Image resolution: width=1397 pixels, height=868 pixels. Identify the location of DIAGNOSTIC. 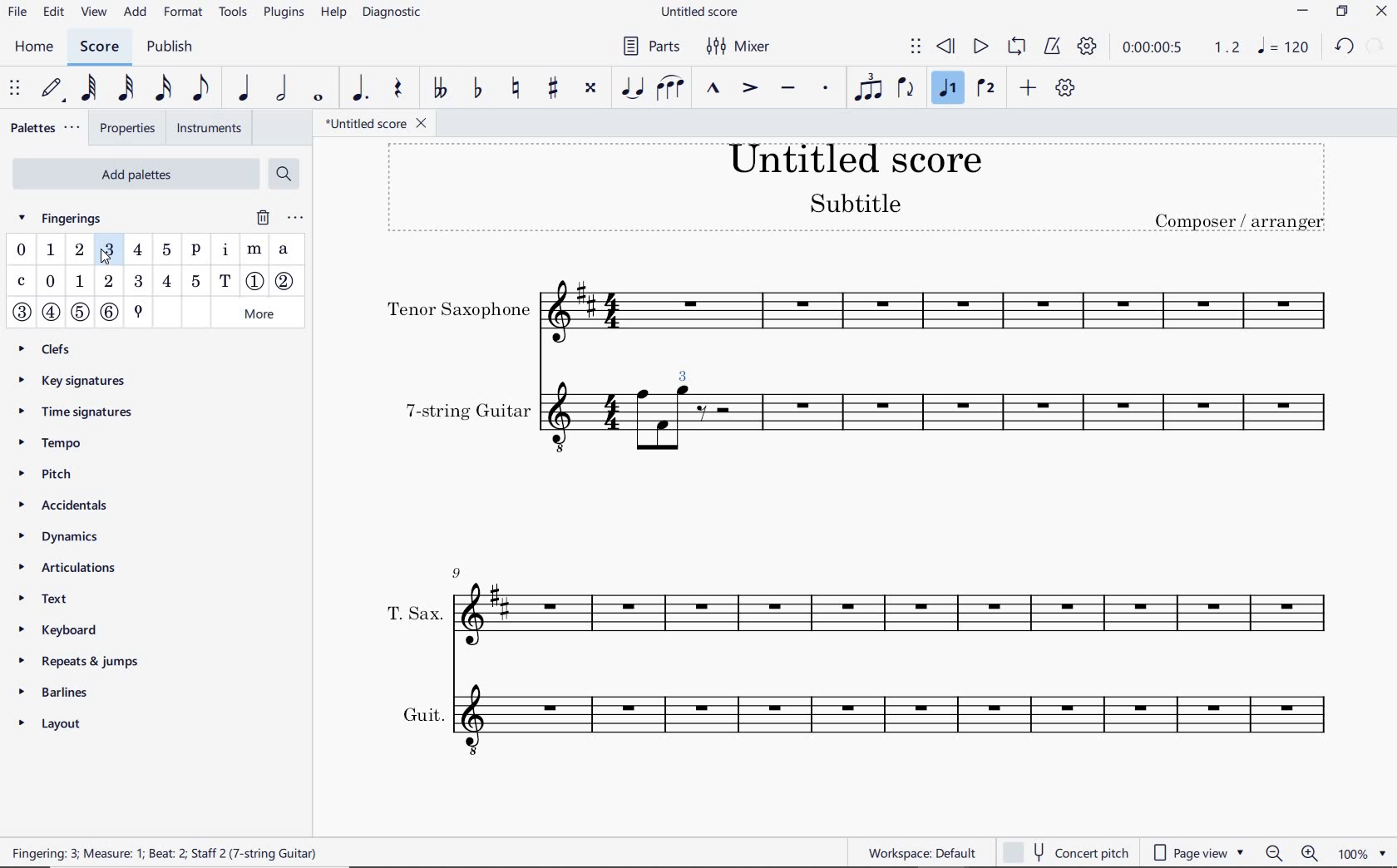
(393, 14).